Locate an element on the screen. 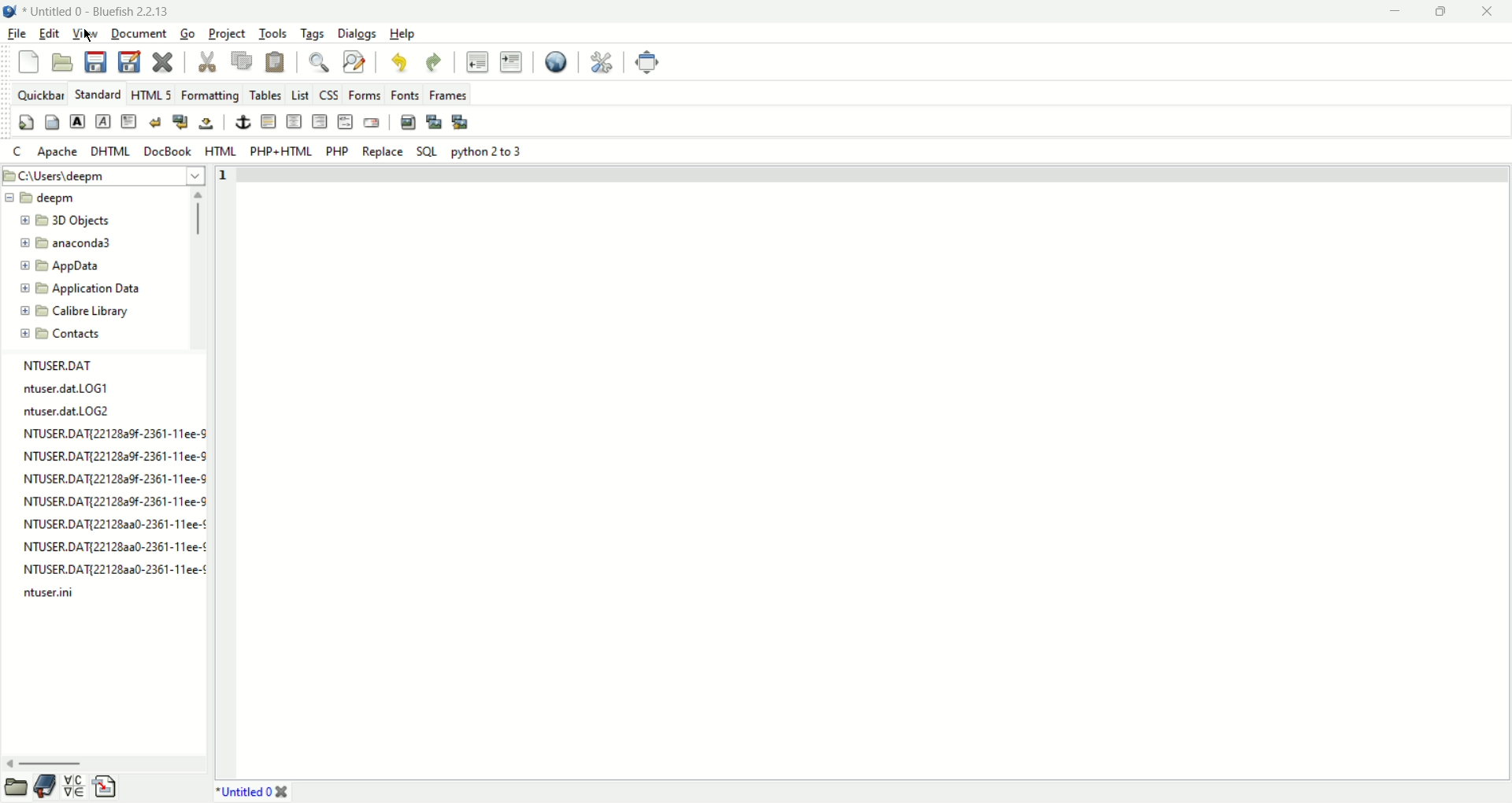 The image size is (1512, 803). new folder is located at coordinates (61, 198).